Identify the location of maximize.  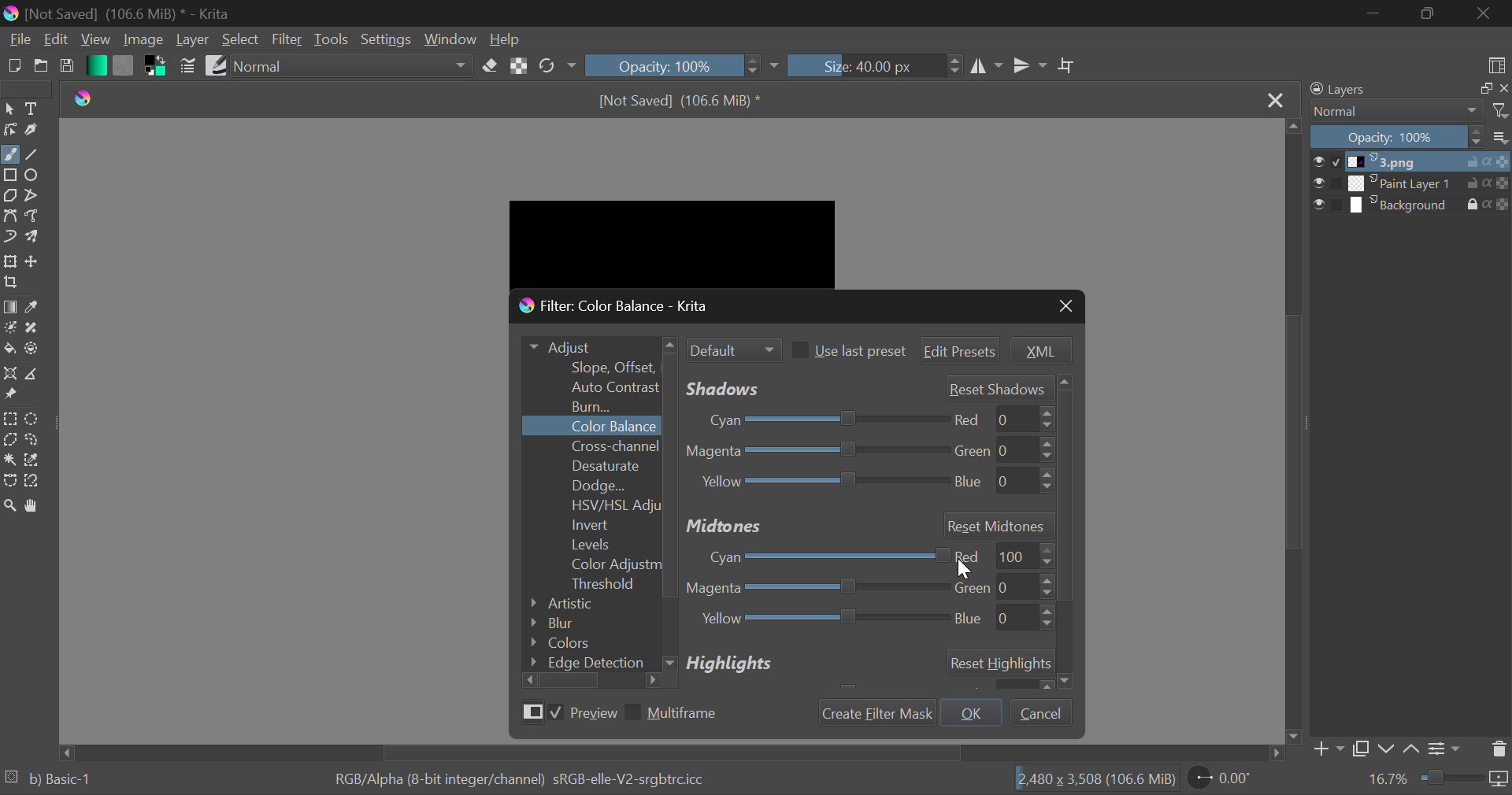
(1479, 90).